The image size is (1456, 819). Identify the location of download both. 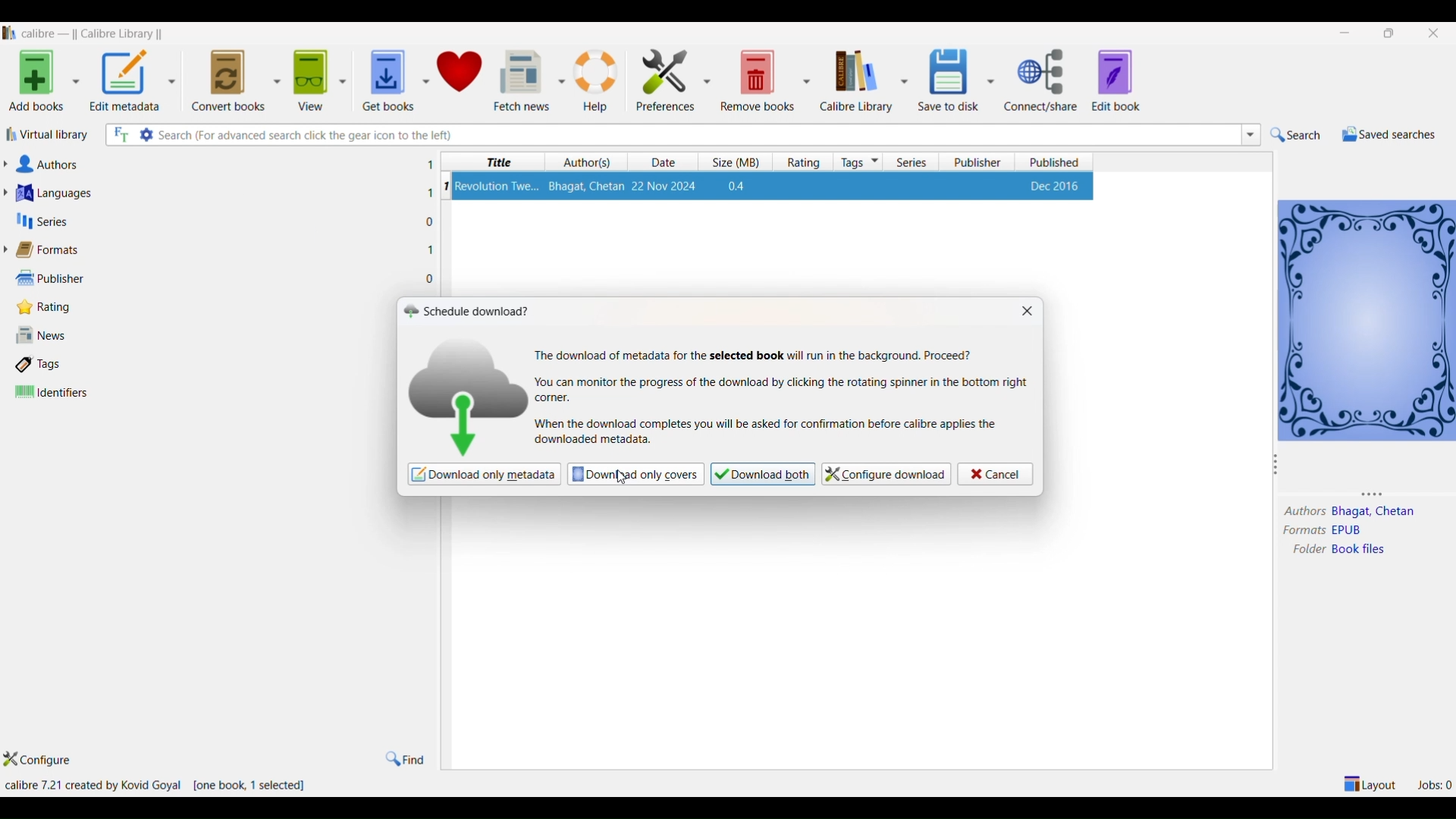
(762, 474).